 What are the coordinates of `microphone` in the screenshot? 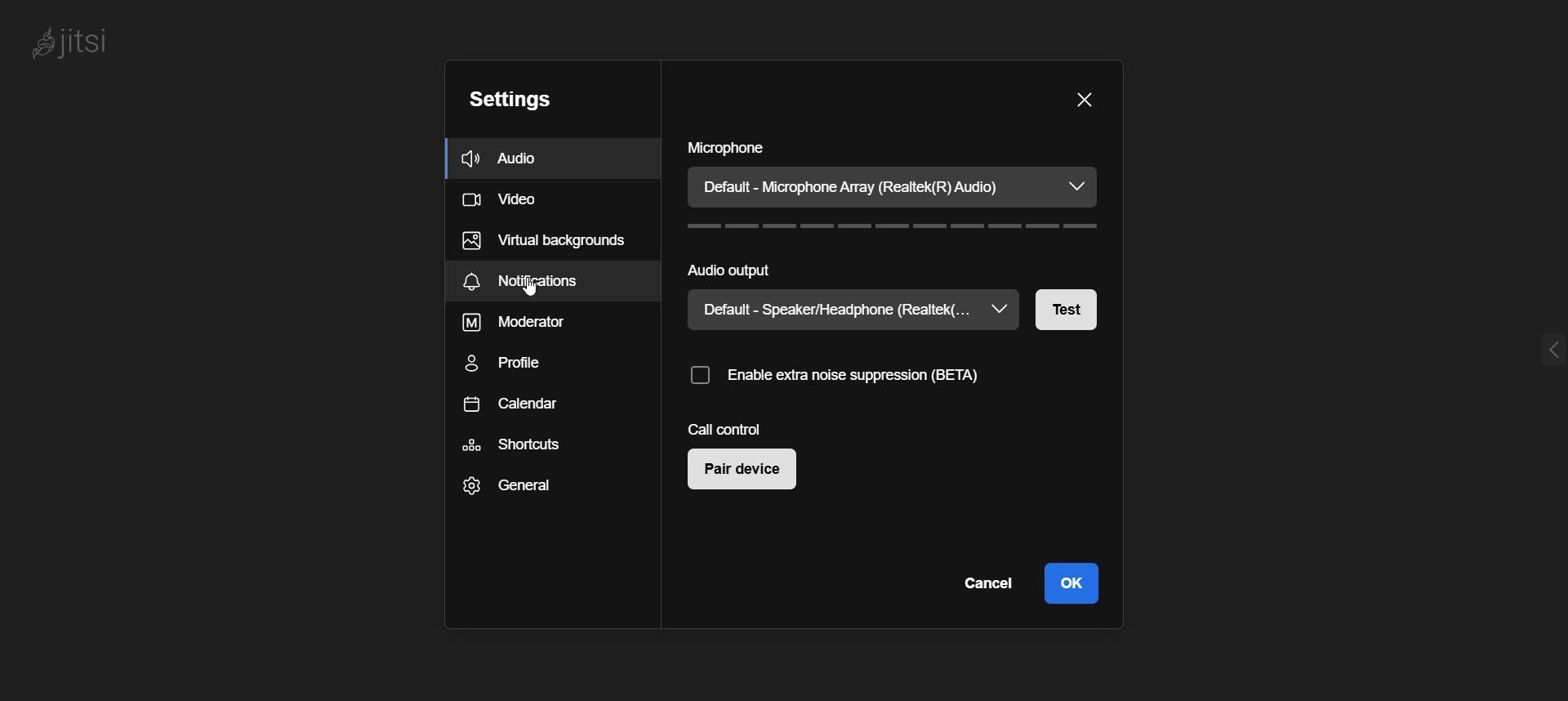 It's located at (735, 146).